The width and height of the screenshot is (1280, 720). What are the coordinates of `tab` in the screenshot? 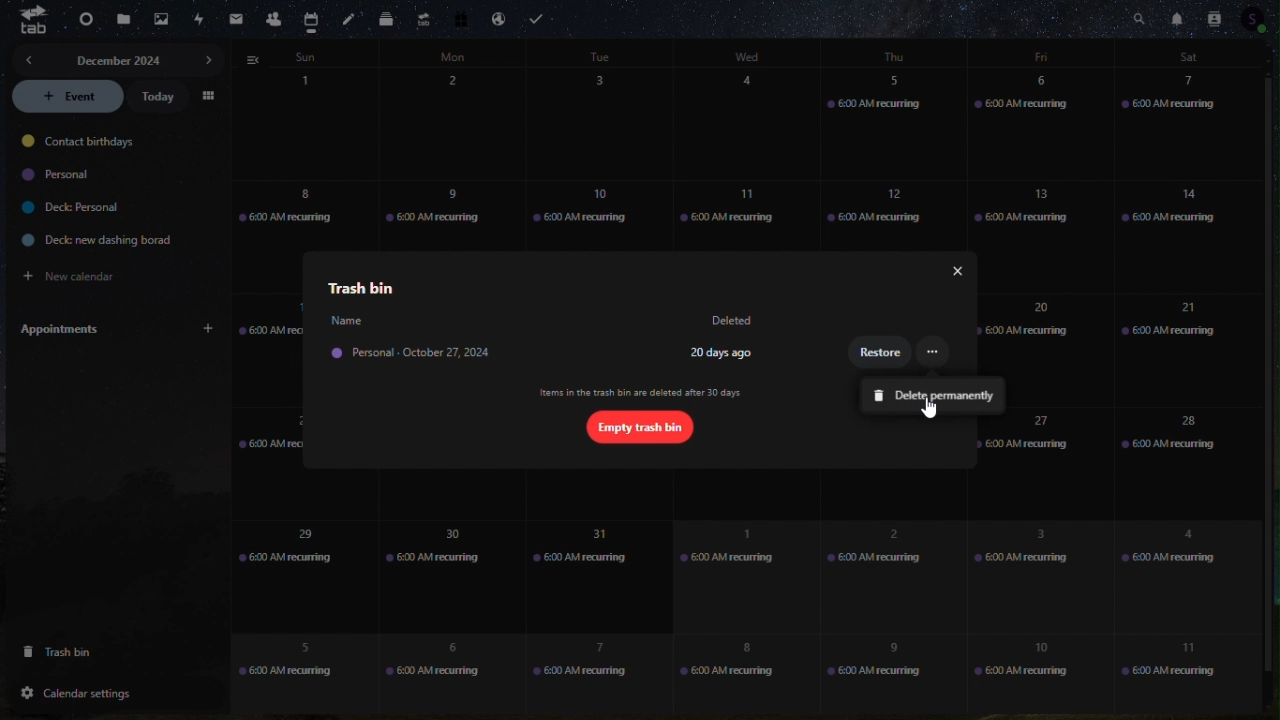 It's located at (33, 24).